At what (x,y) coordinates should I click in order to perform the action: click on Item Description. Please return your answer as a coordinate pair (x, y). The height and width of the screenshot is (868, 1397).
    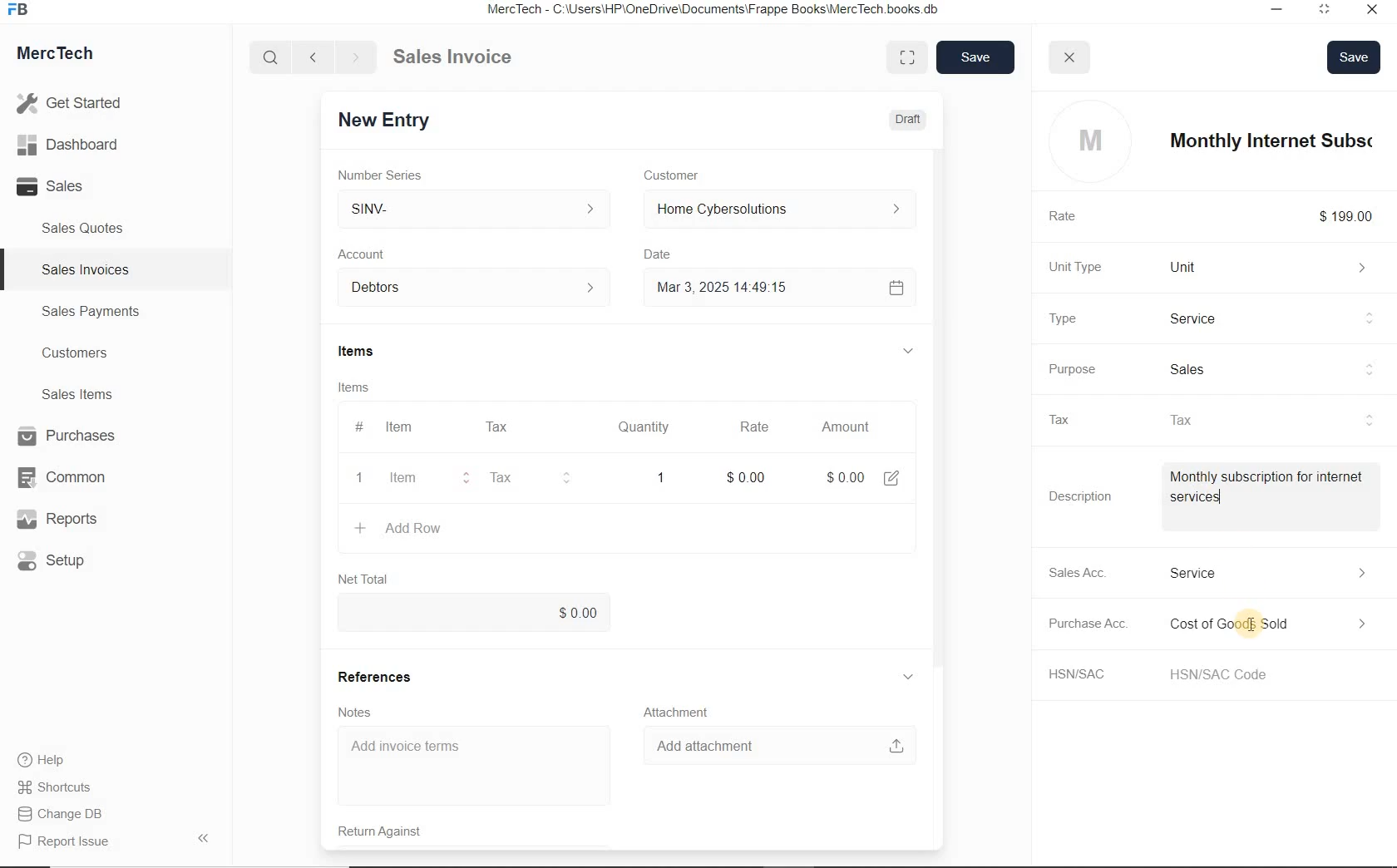
    Looking at the image, I should click on (1262, 491).